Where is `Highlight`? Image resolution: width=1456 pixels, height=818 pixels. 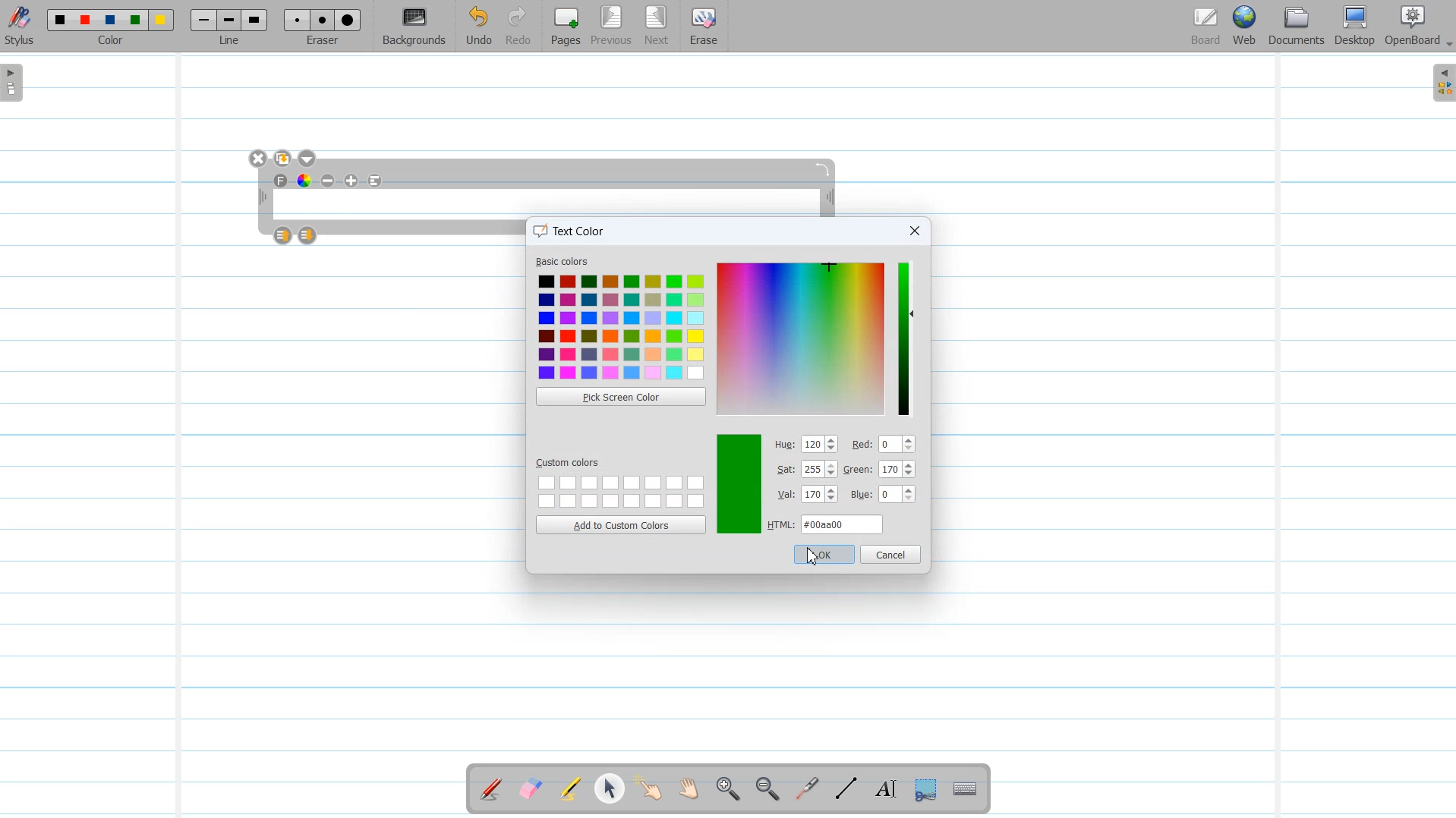
Highlight is located at coordinates (570, 791).